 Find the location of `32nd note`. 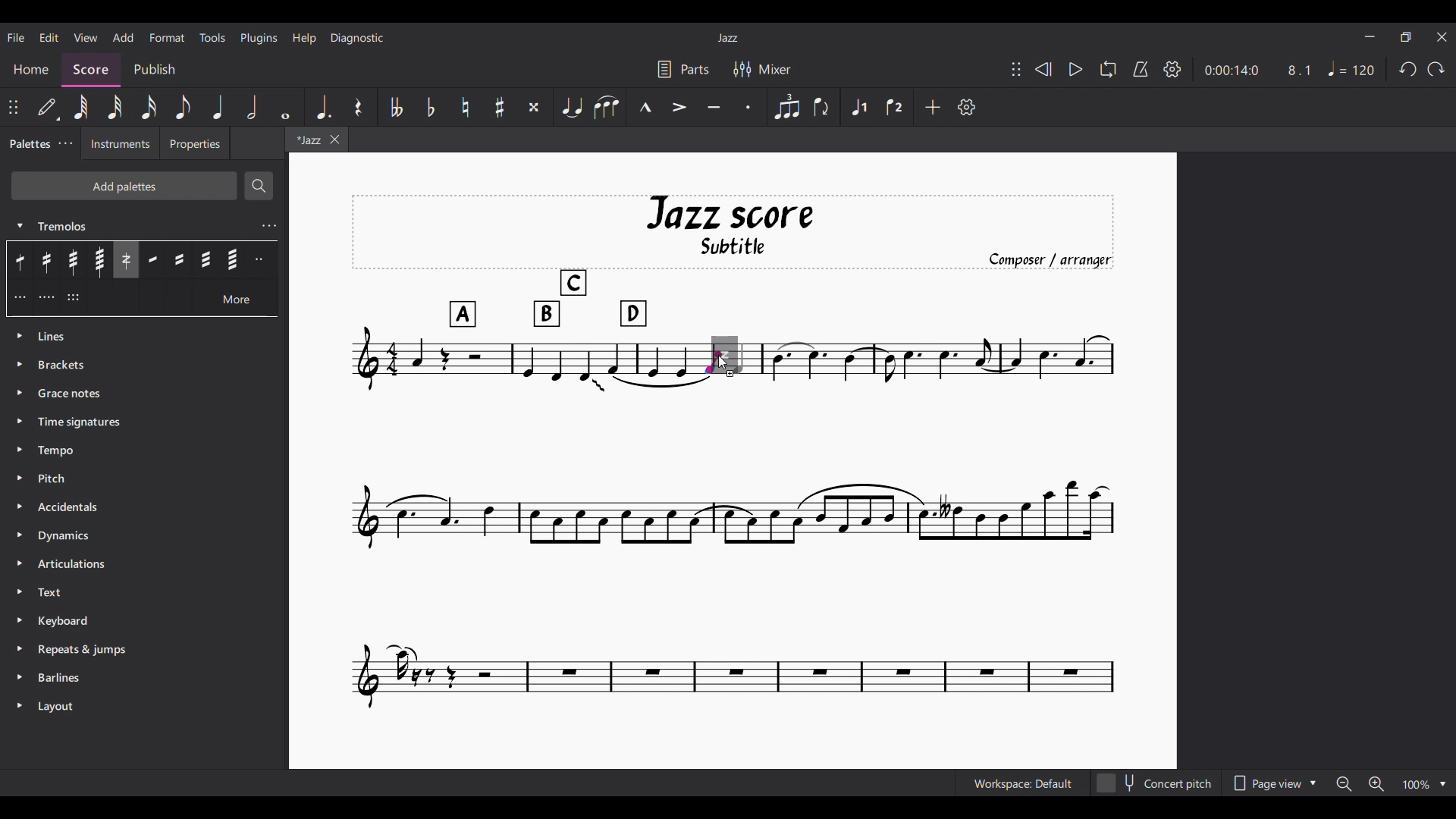

32nd note is located at coordinates (115, 108).